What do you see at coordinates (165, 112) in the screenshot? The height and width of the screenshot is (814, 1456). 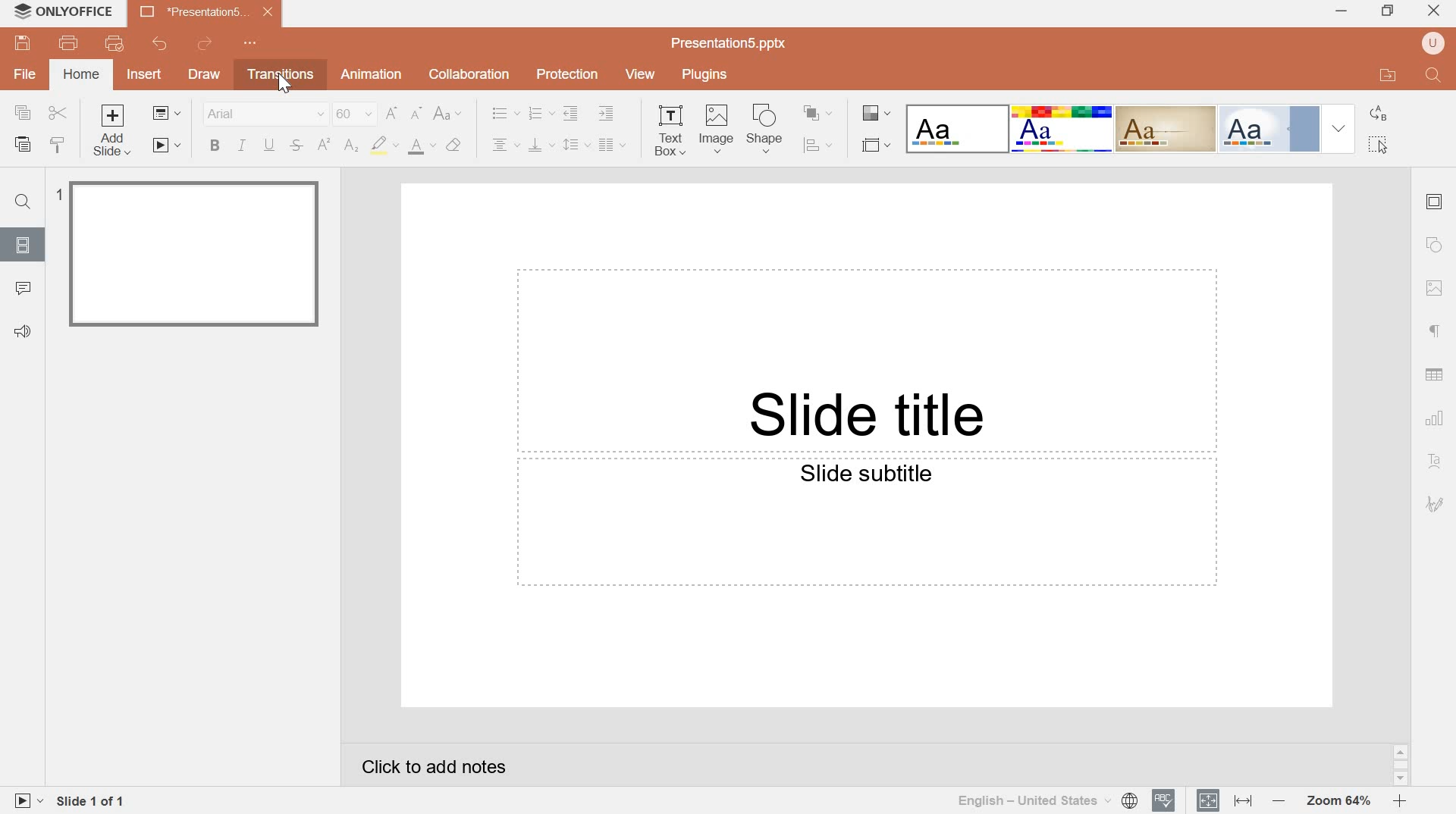 I see `slide layout` at bounding box center [165, 112].